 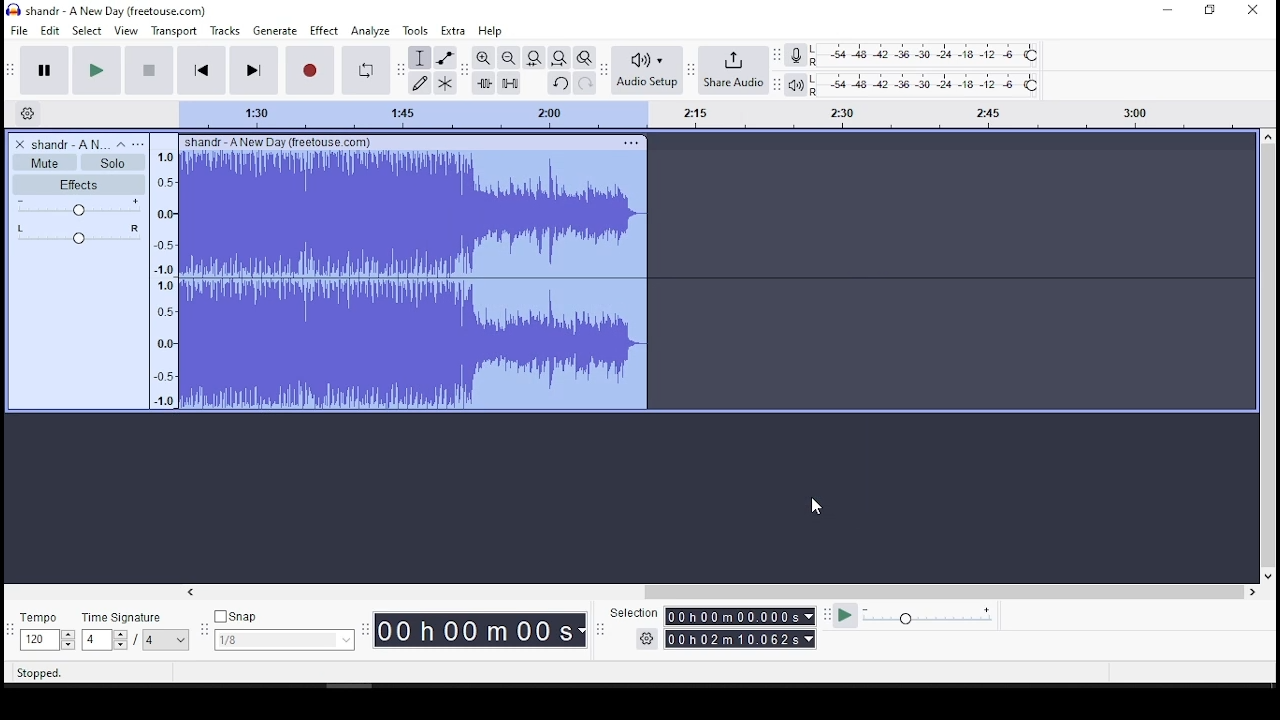 I want to click on draw tool, so click(x=421, y=83).